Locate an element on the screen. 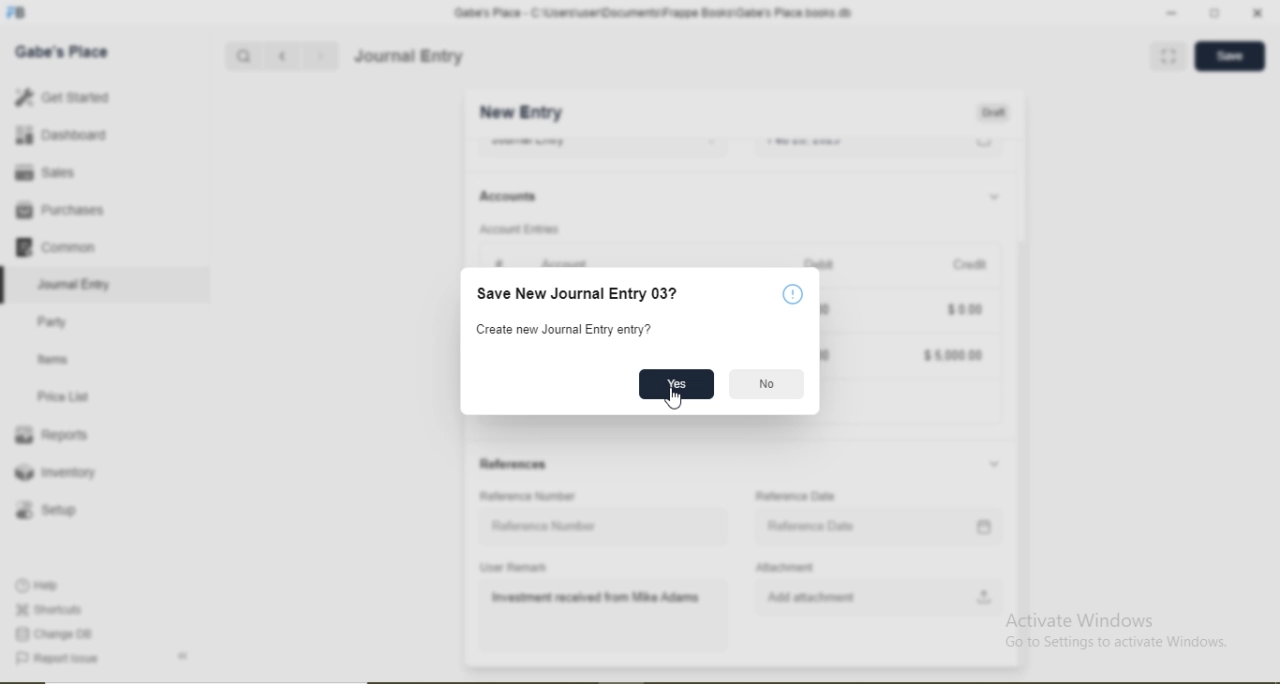 The height and width of the screenshot is (684, 1280). minimize is located at coordinates (1169, 14).